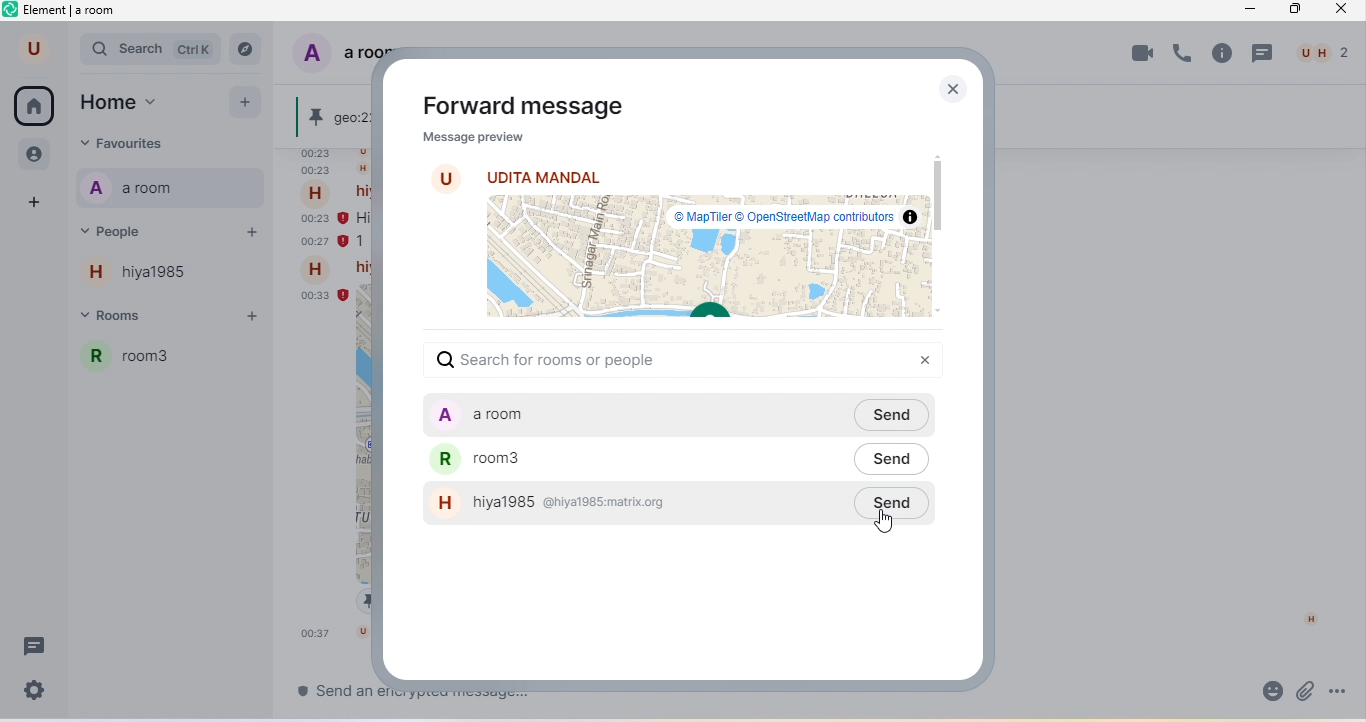 The width and height of the screenshot is (1366, 722). What do you see at coordinates (522, 106) in the screenshot?
I see `forward message` at bounding box center [522, 106].